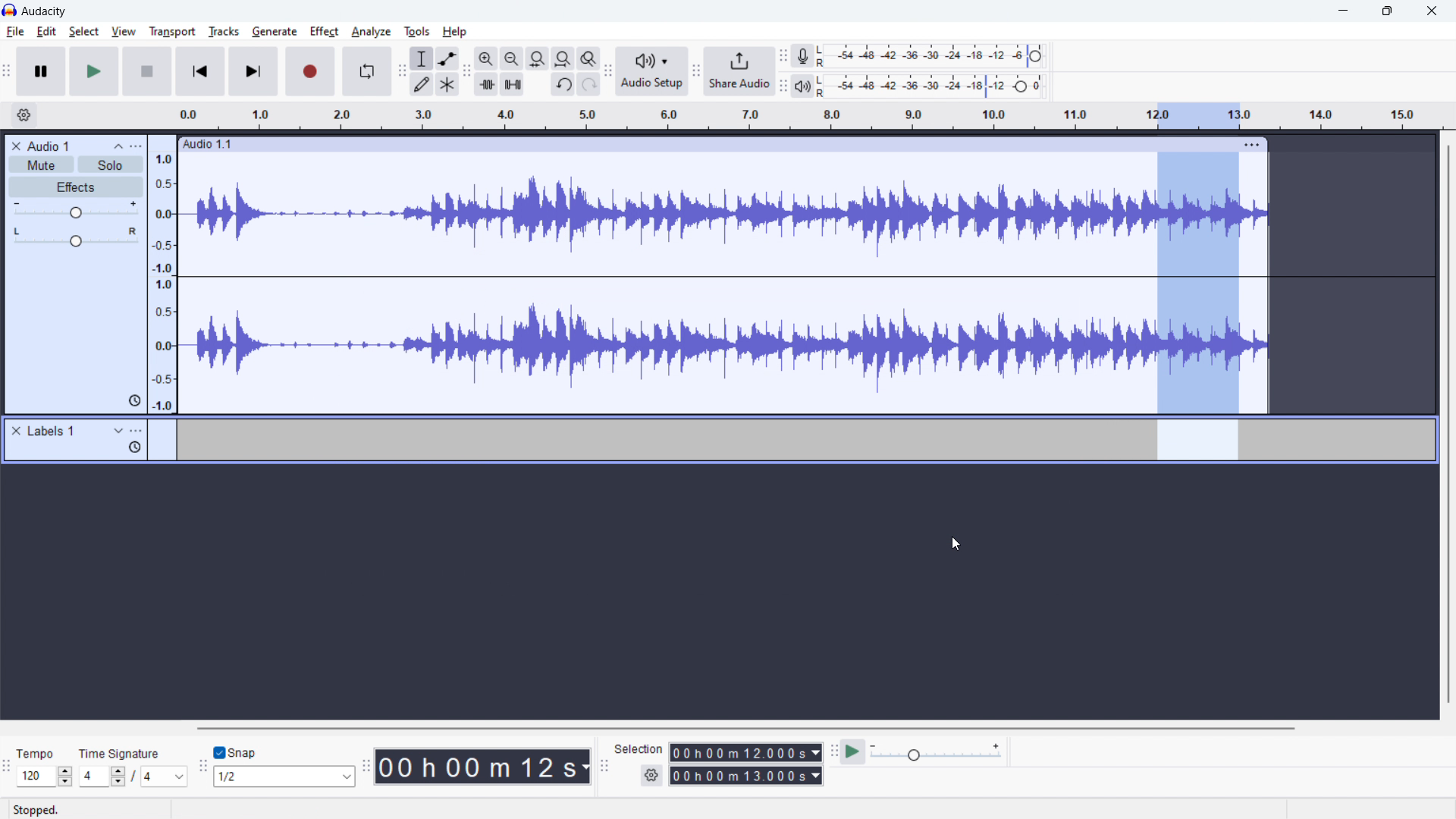 The width and height of the screenshot is (1456, 819). Describe the element at coordinates (118, 146) in the screenshot. I see `collapse` at that location.